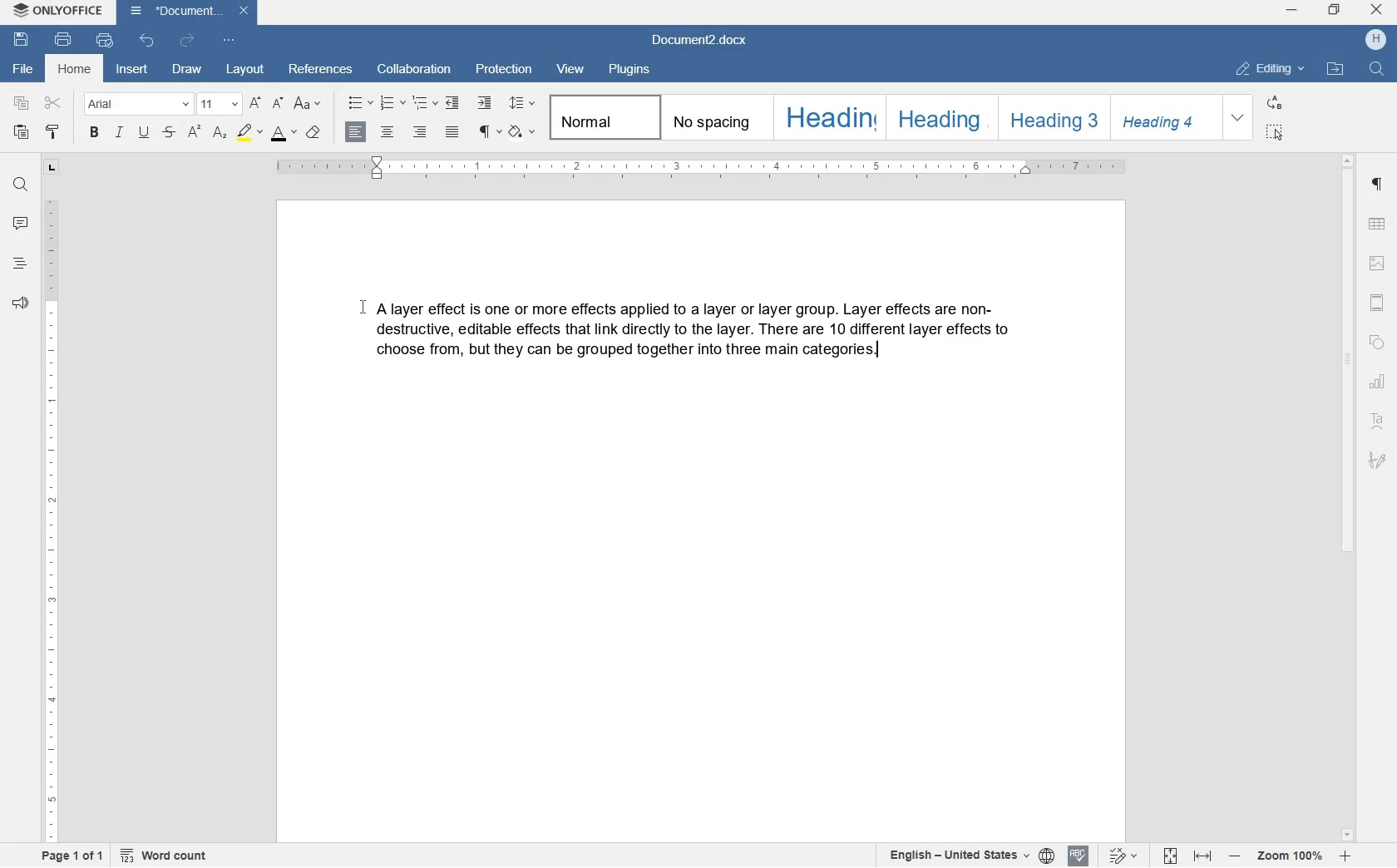 This screenshot has height=868, width=1397. Describe the element at coordinates (22, 41) in the screenshot. I see `save` at that location.